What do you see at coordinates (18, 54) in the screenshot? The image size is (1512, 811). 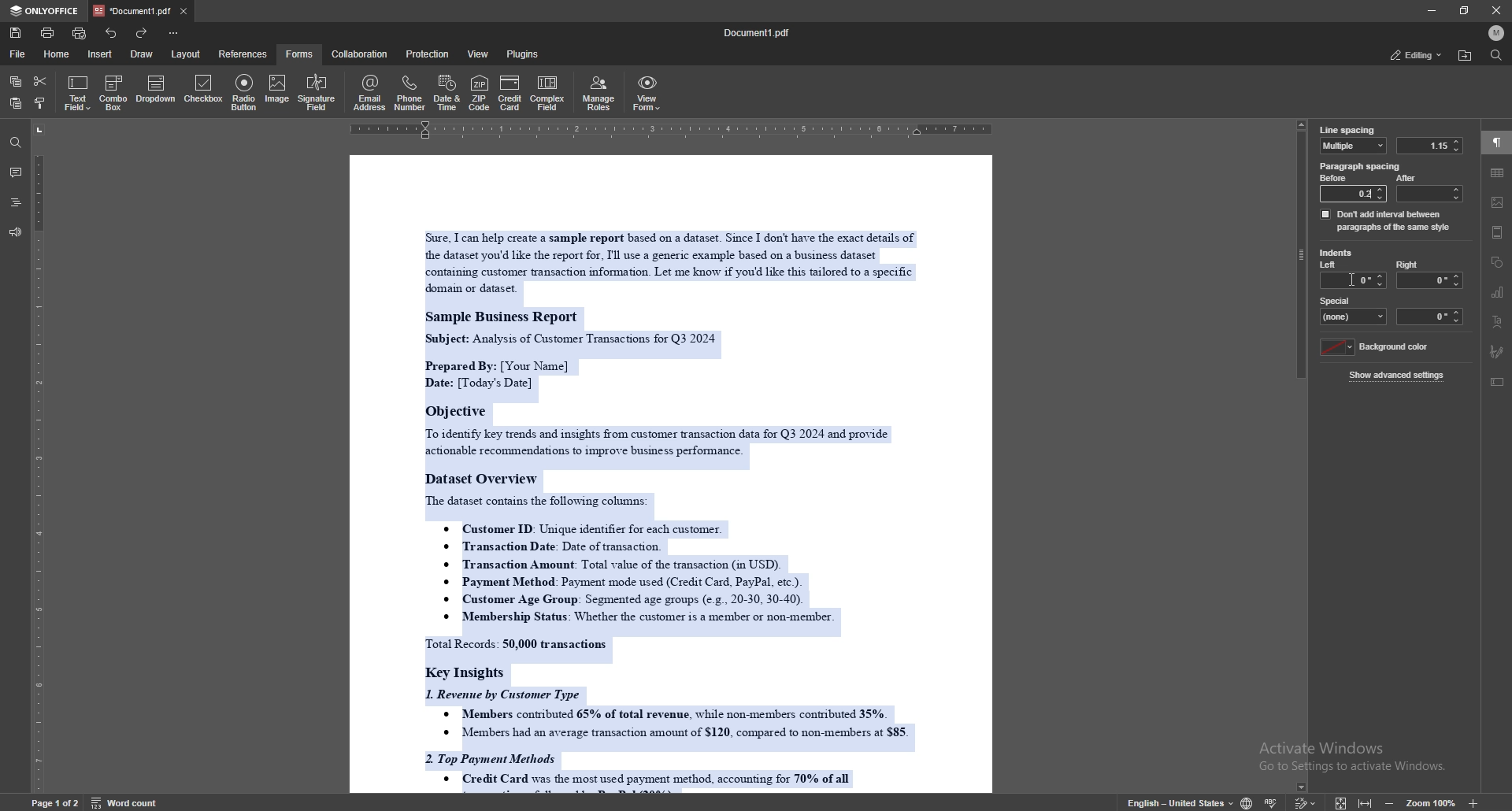 I see `file` at bounding box center [18, 54].